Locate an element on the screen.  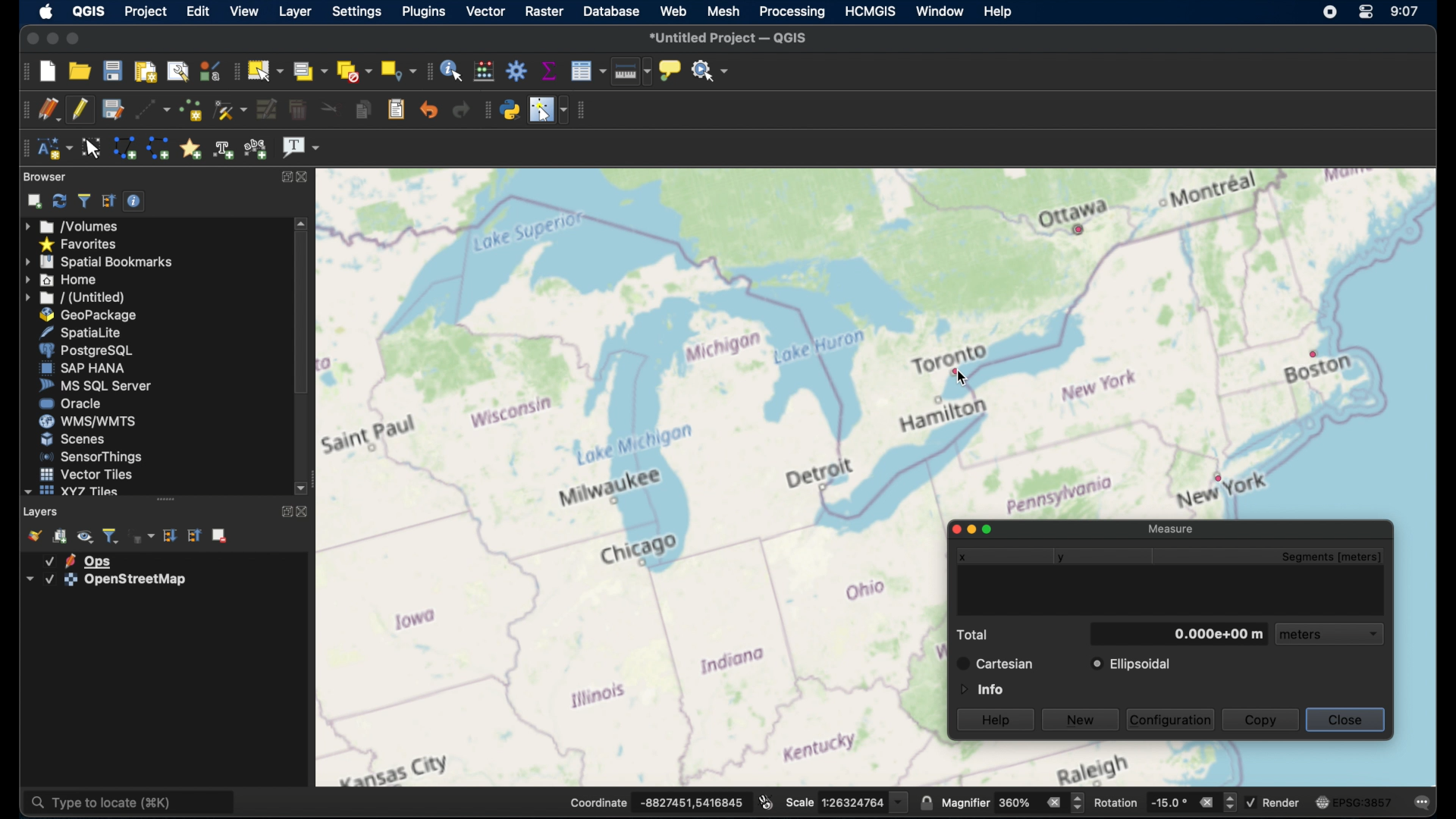
cursor is located at coordinates (963, 375).